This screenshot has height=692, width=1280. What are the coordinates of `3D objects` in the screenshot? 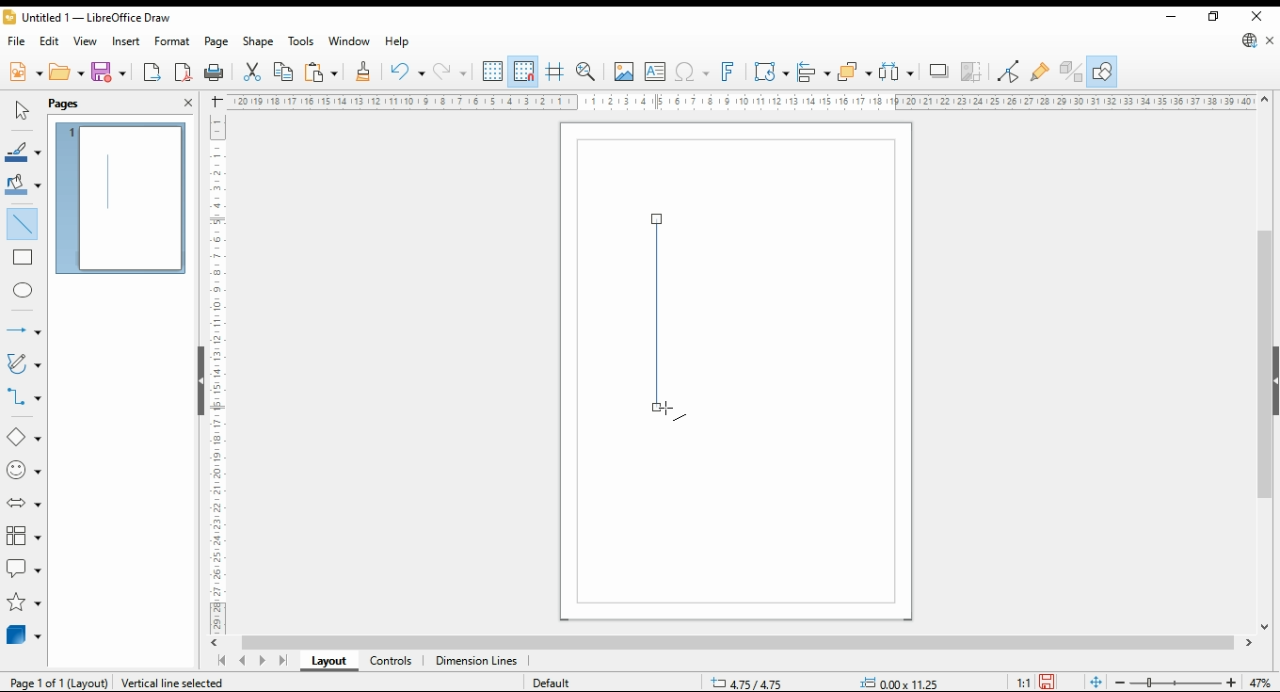 It's located at (25, 635).